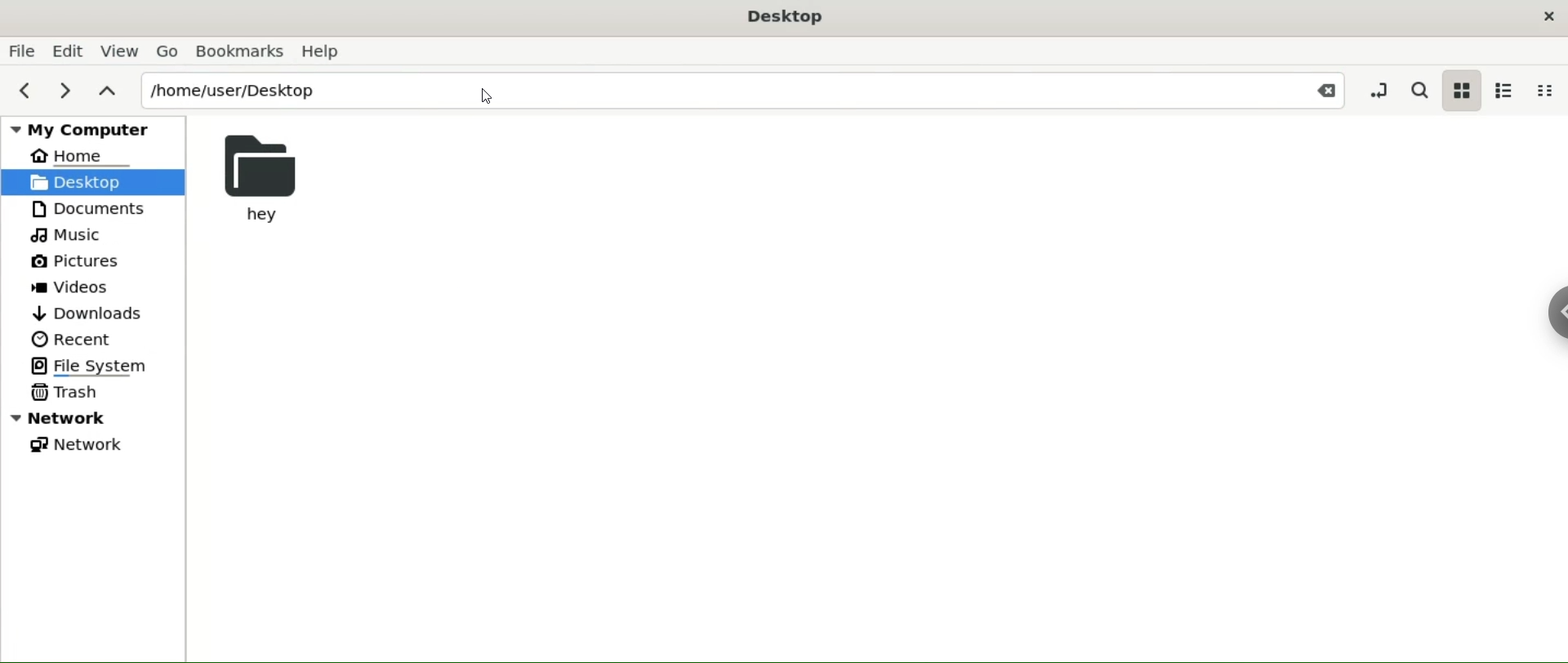 The image size is (1568, 663). I want to click on file, so click(22, 50).